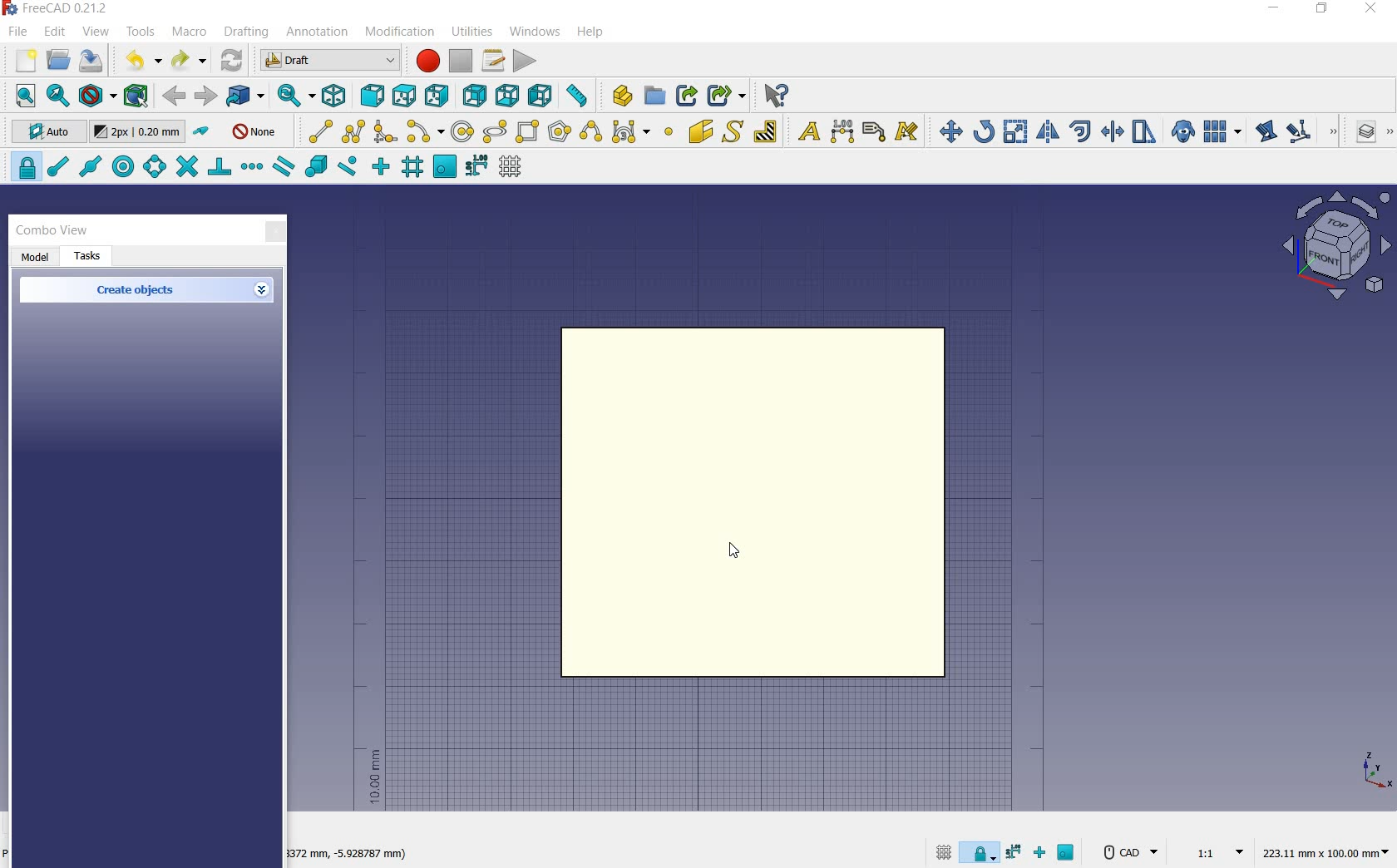 The height and width of the screenshot is (868, 1397). What do you see at coordinates (36, 258) in the screenshot?
I see `model` at bounding box center [36, 258].